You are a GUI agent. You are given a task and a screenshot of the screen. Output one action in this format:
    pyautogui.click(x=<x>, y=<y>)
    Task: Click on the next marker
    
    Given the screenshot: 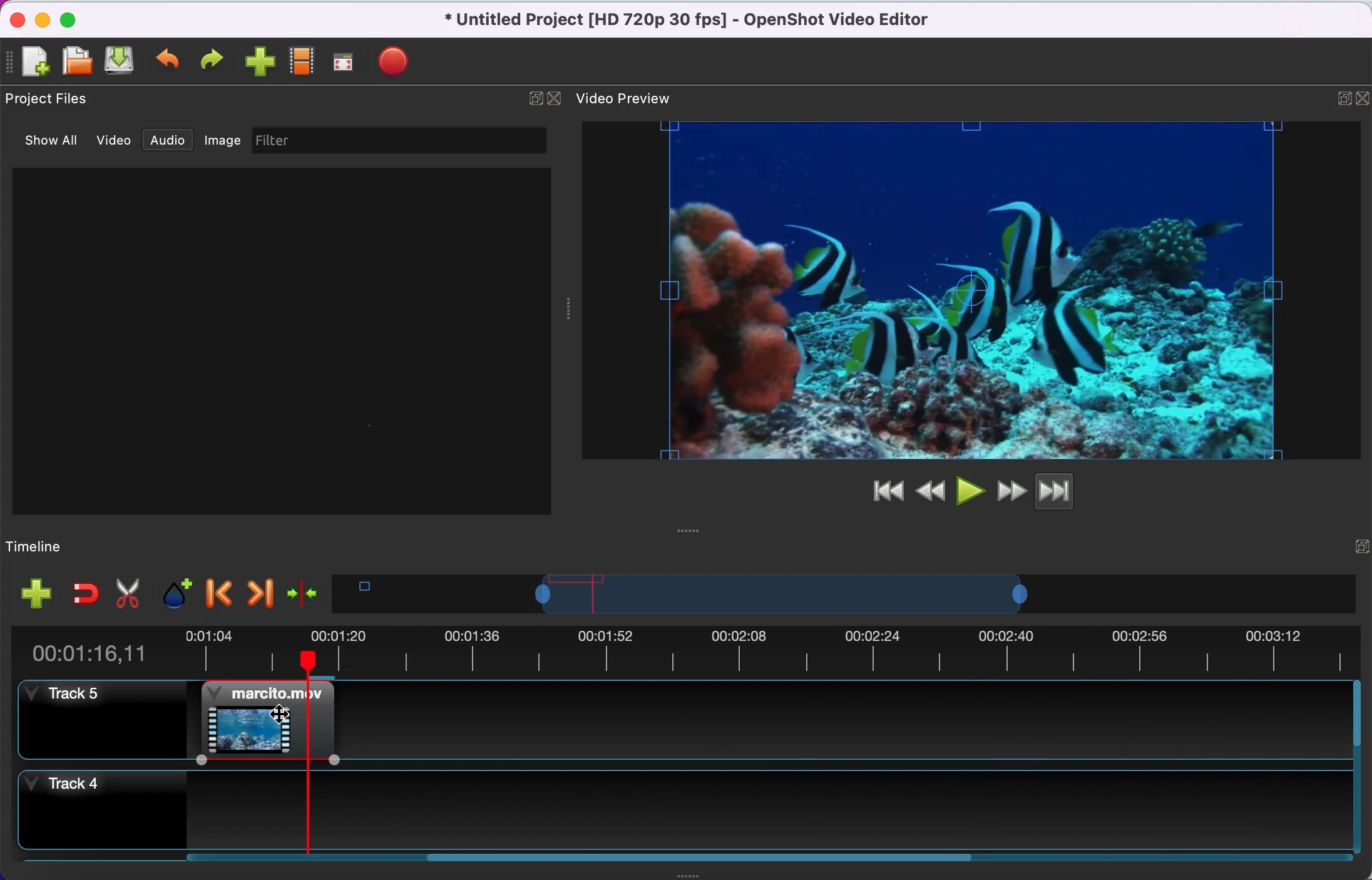 What is the action you would take?
    pyautogui.click(x=259, y=591)
    